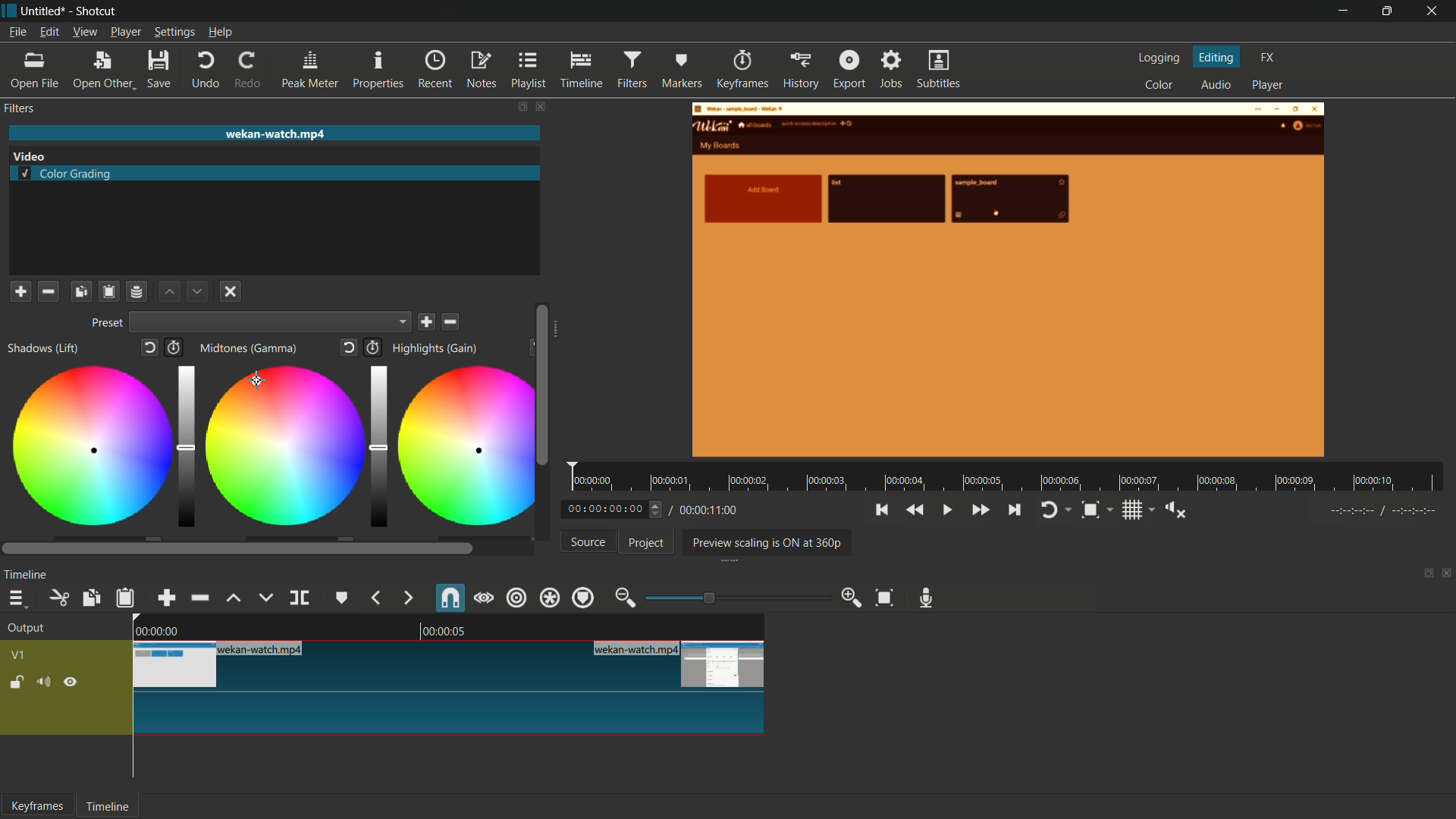 This screenshot has height=819, width=1456. I want to click on change layout, so click(522, 107).